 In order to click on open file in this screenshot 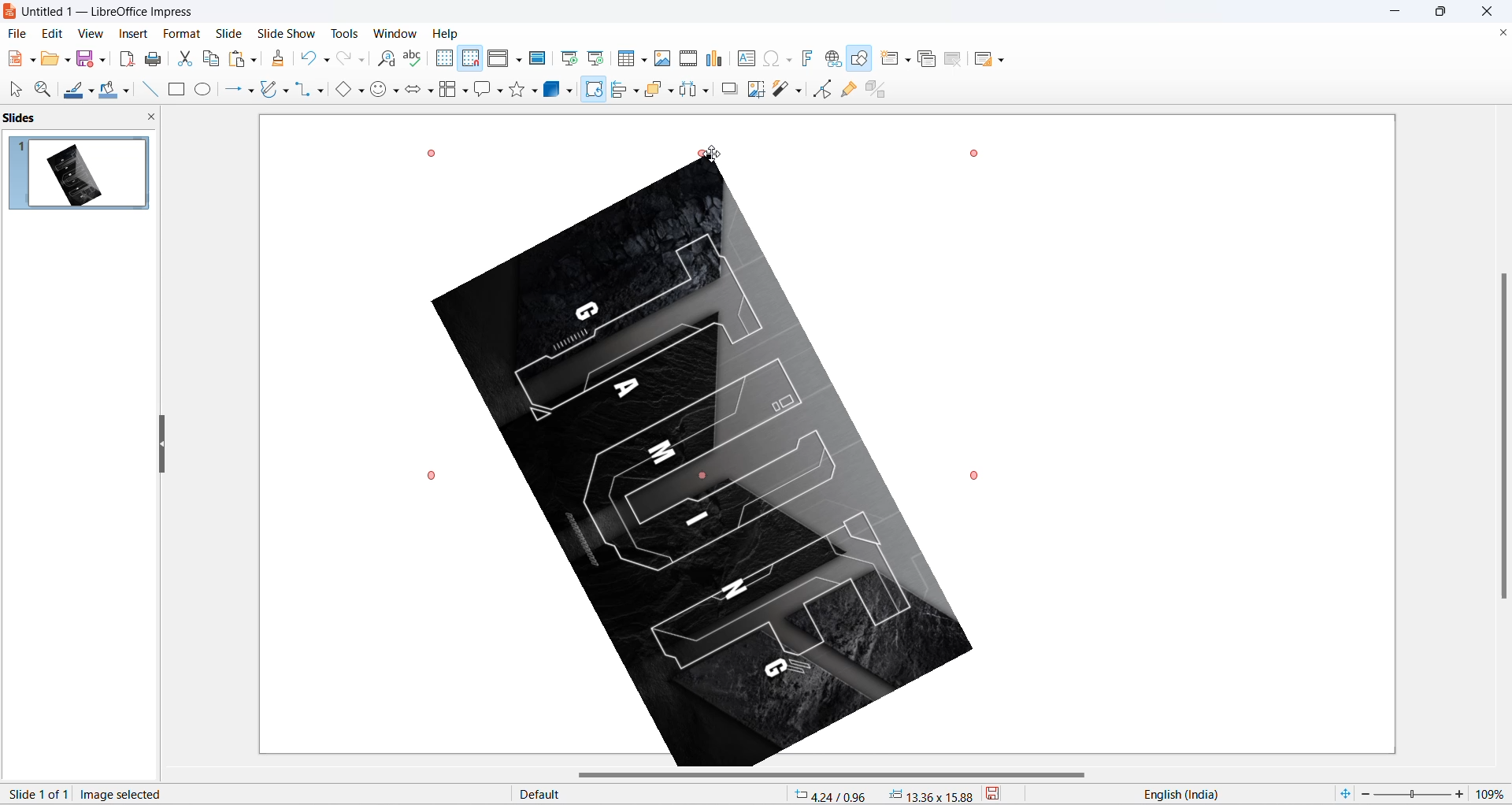, I will do `click(50, 61)`.